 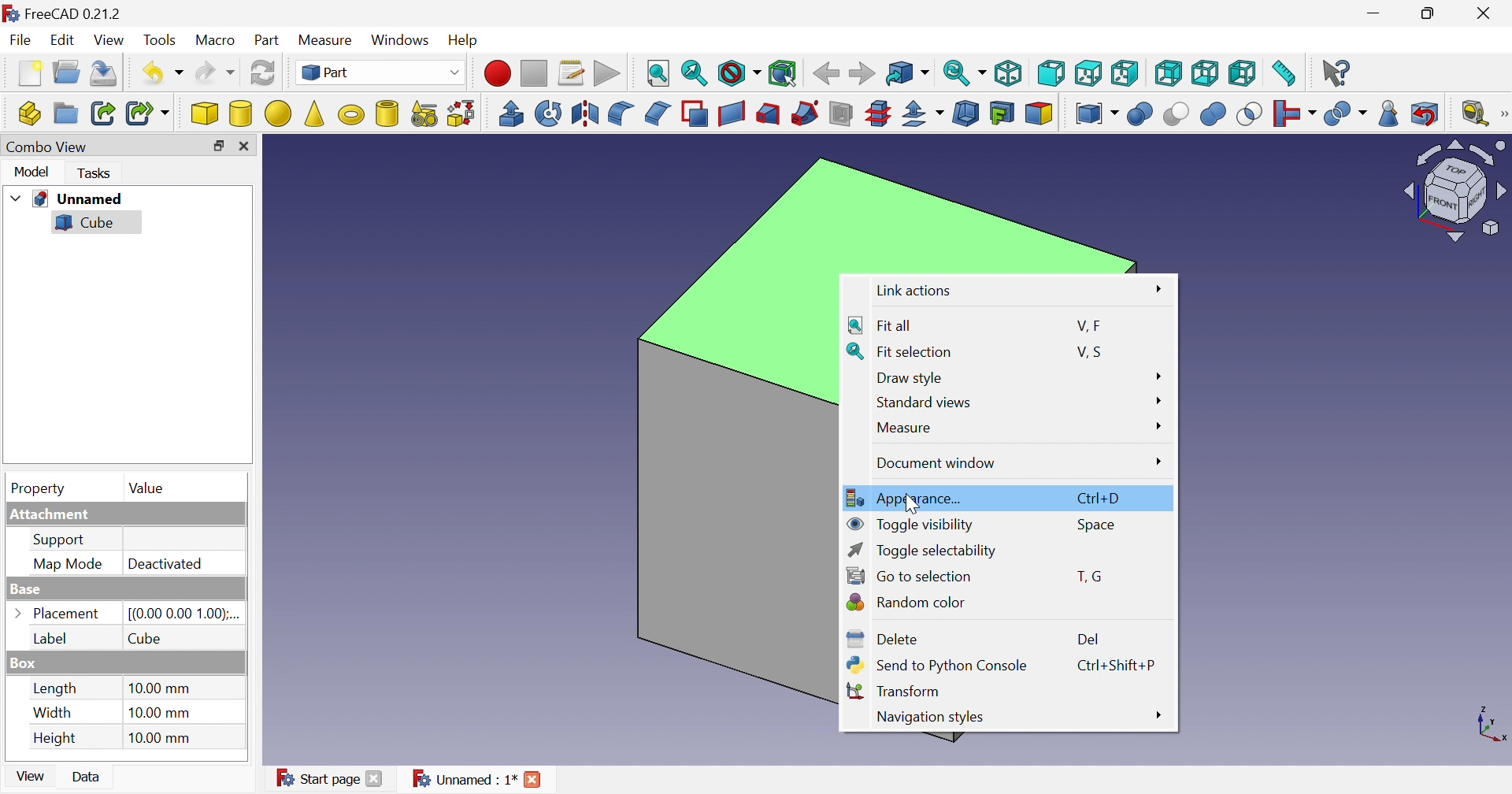 What do you see at coordinates (56, 514) in the screenshot?
I see `Attachment` at bounding box center [56, 514].